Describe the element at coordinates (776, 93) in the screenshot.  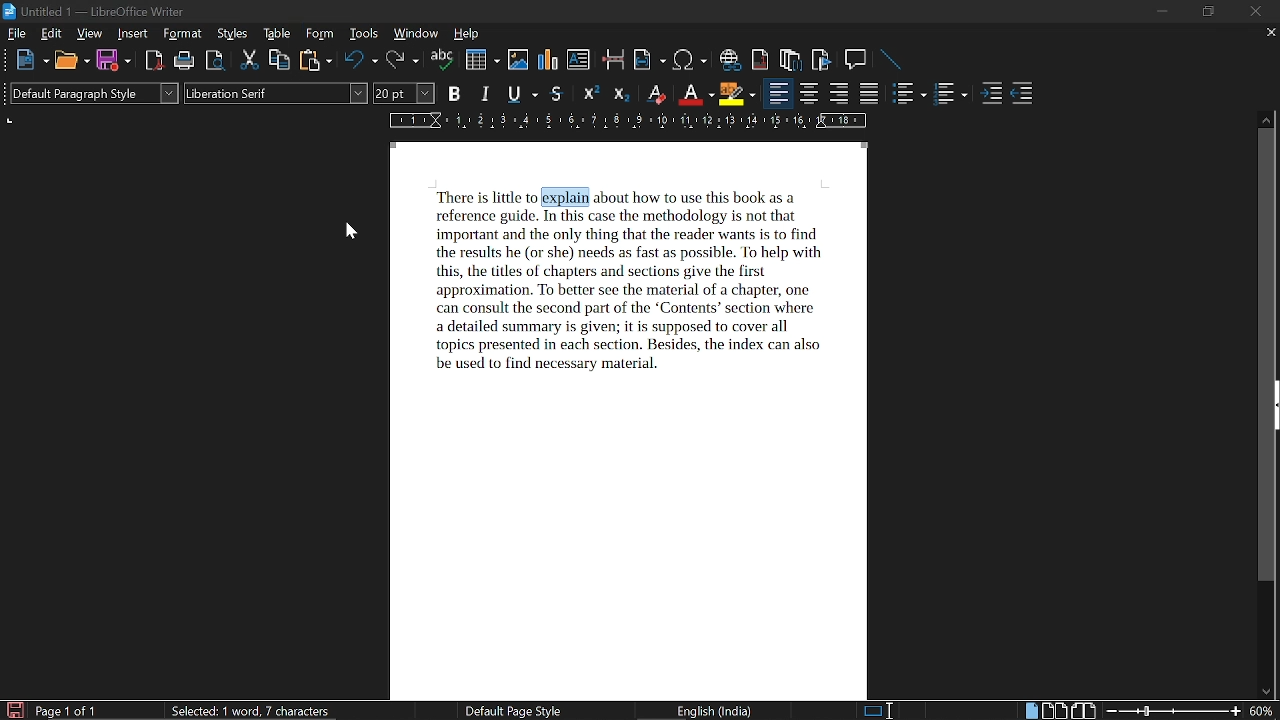
I see `align left` at that location.